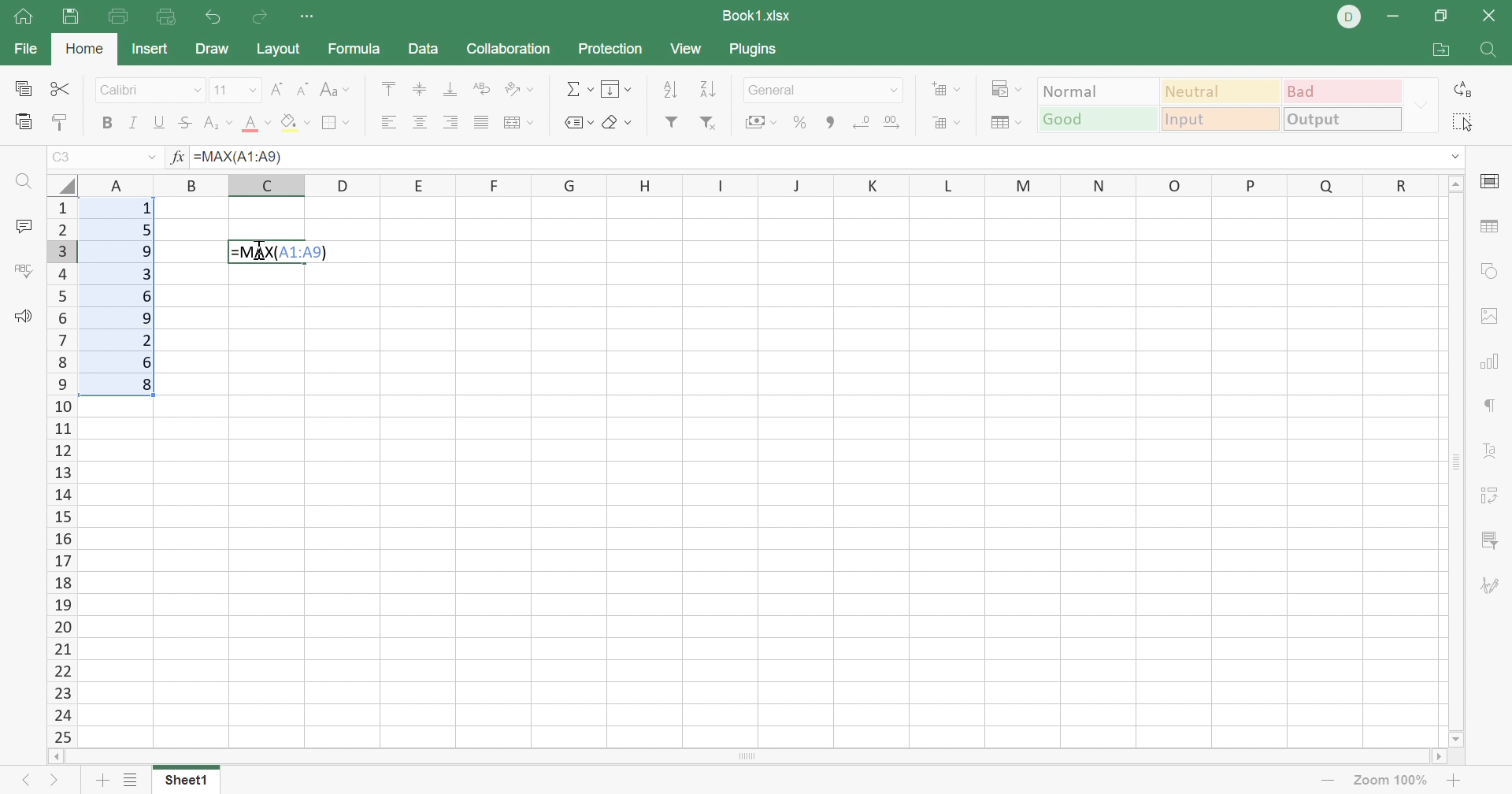 Image resolution: width=1512 pixels, height=794 pixels. What do you see at coordinates (254, 123) in the screenshot?
I see `Font color` at bounding box center [254, 123].